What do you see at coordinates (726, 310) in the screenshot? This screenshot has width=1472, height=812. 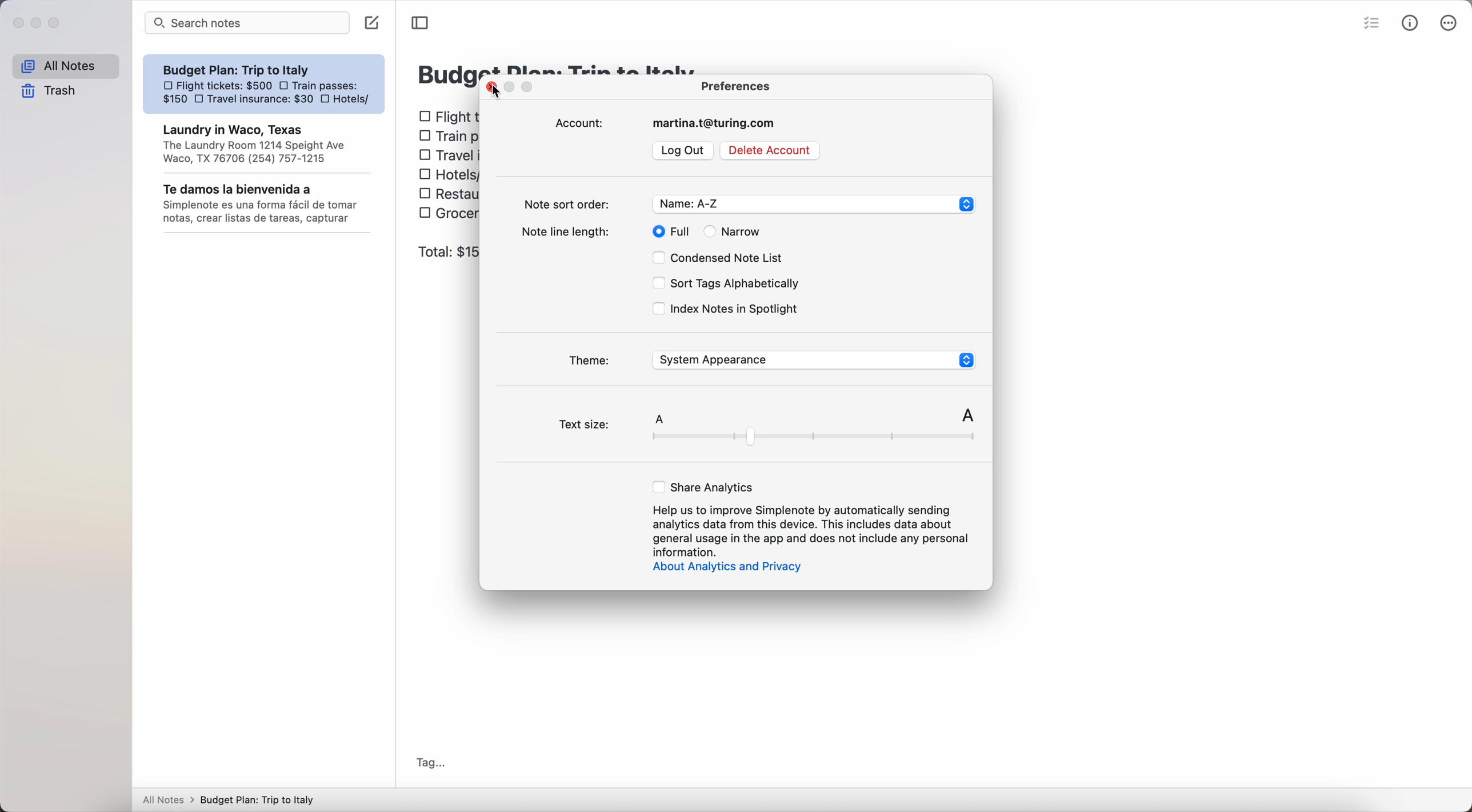 I see `index notes in spotlight` at bounding box center [726, 310].